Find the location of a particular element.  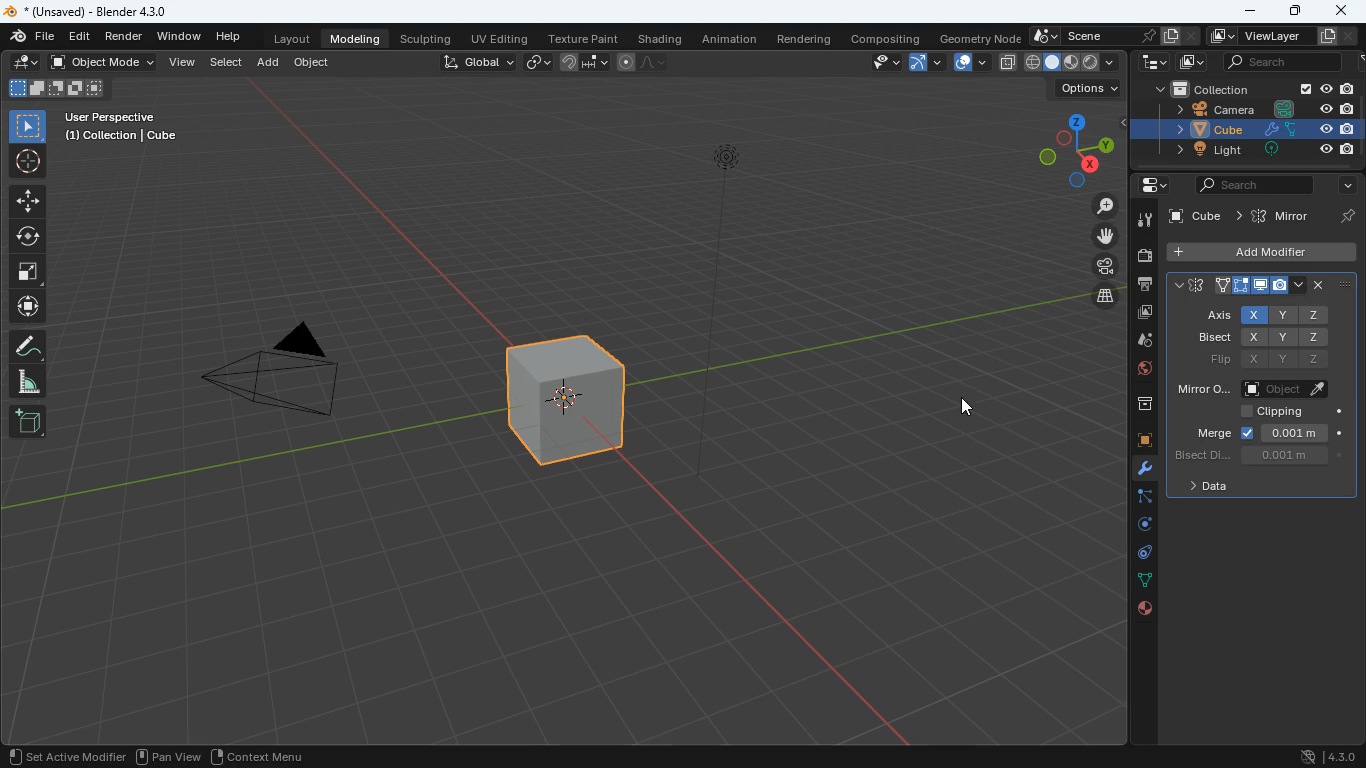

select is located at coordinates (26, 126).